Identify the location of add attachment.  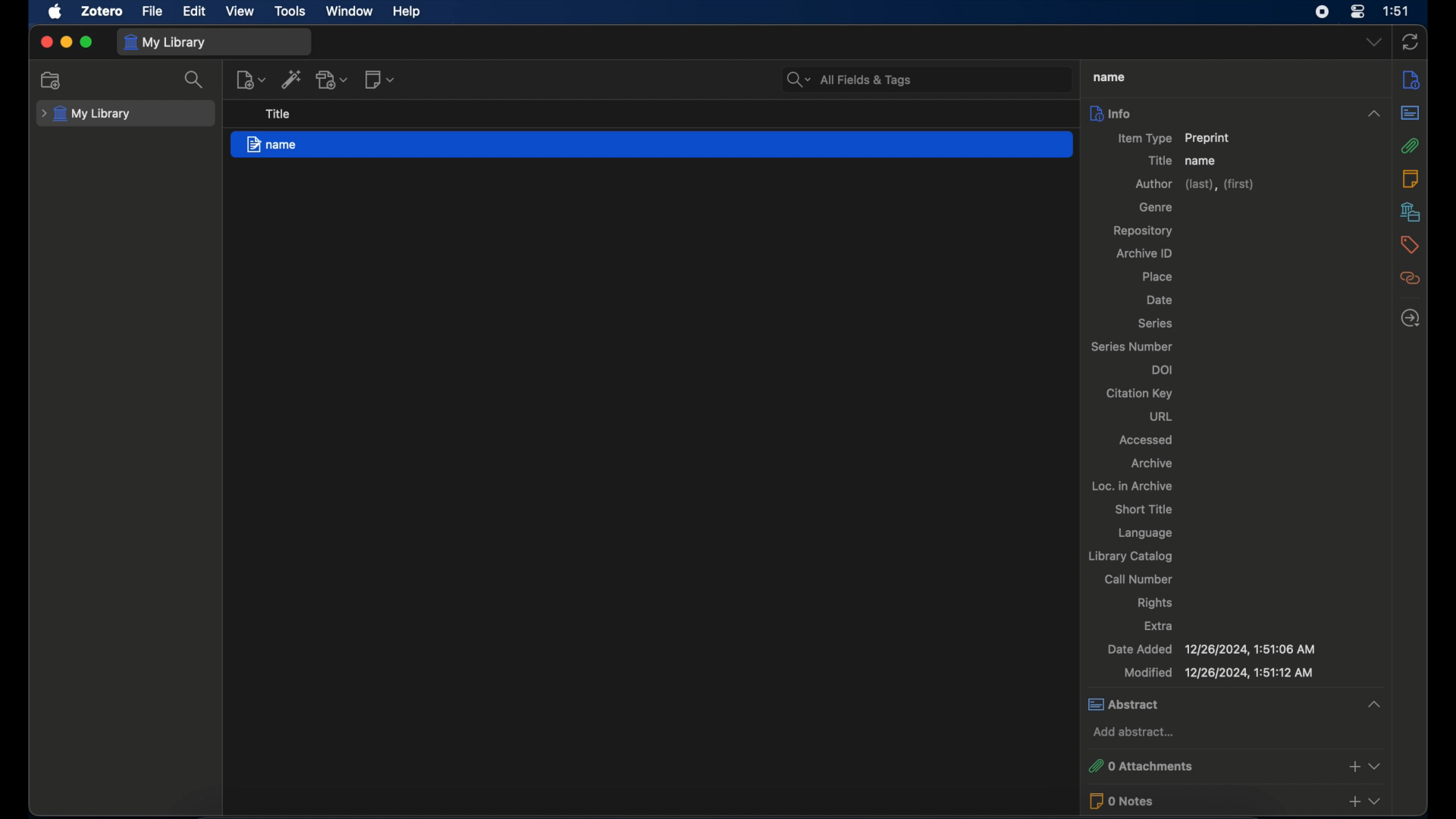
(332, 80).